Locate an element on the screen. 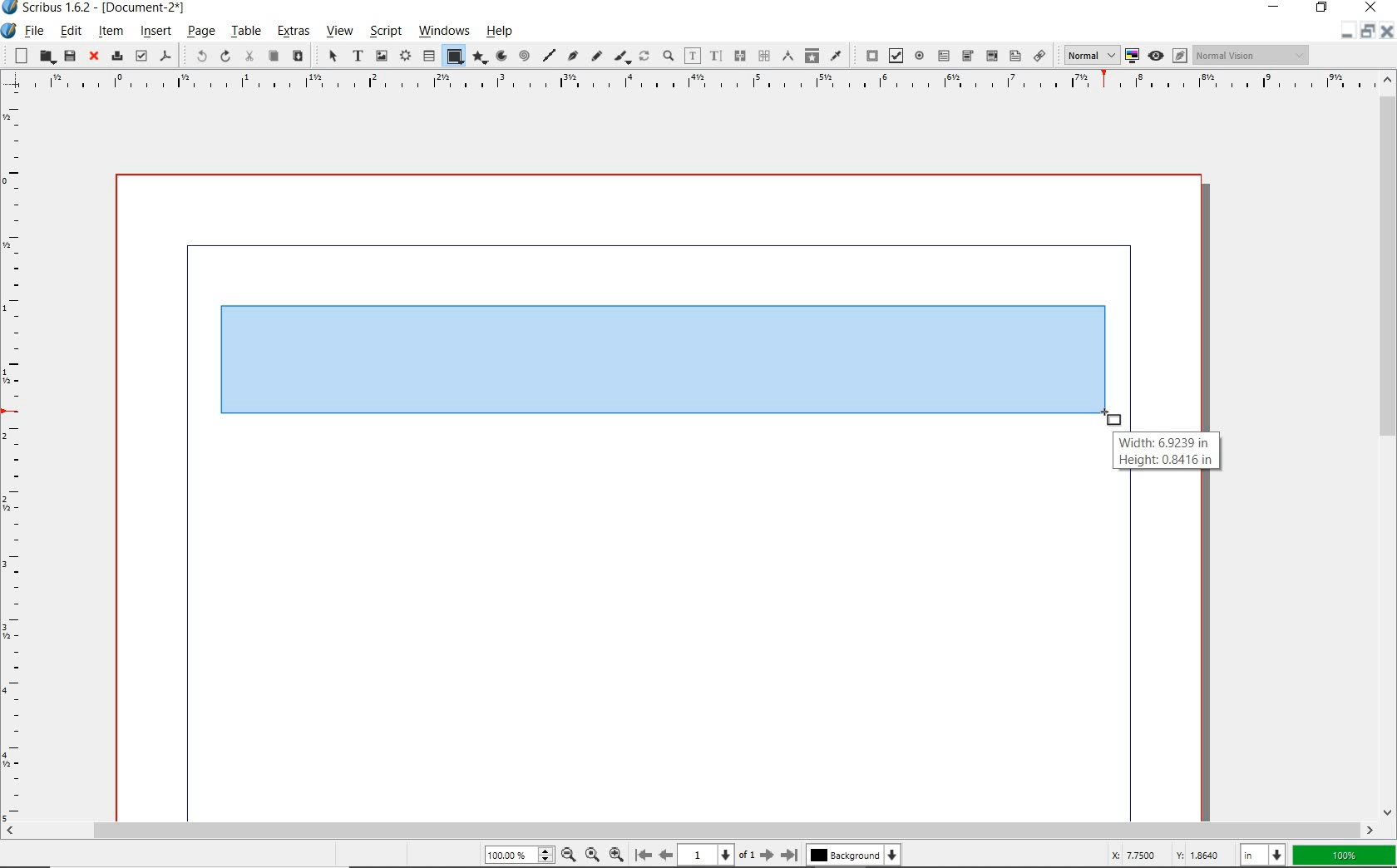 The image size is (1397, 868). close is located at coordinates (1389, 32).